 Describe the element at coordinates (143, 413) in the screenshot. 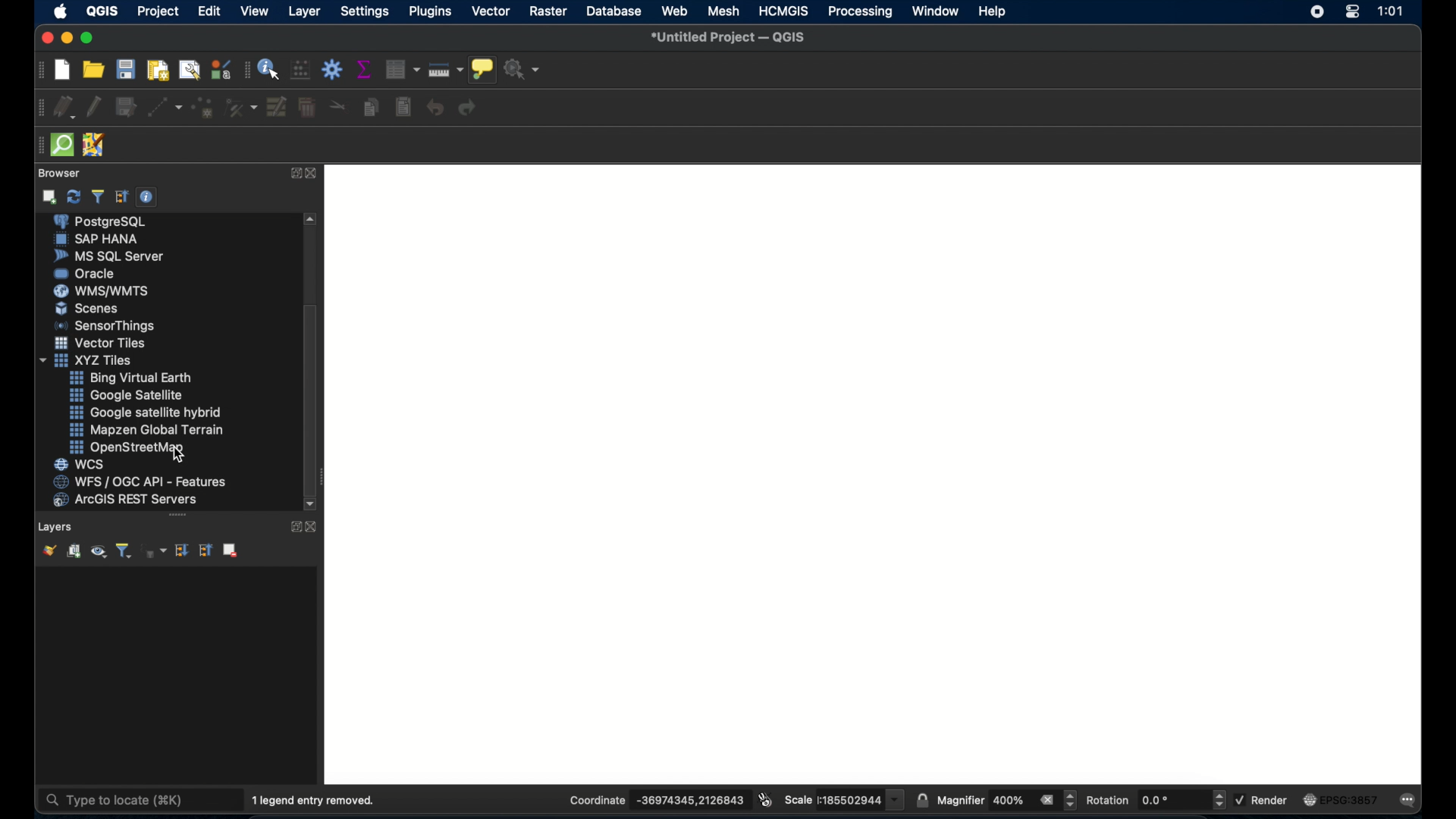

I see `google satellite hybrid` at that location.